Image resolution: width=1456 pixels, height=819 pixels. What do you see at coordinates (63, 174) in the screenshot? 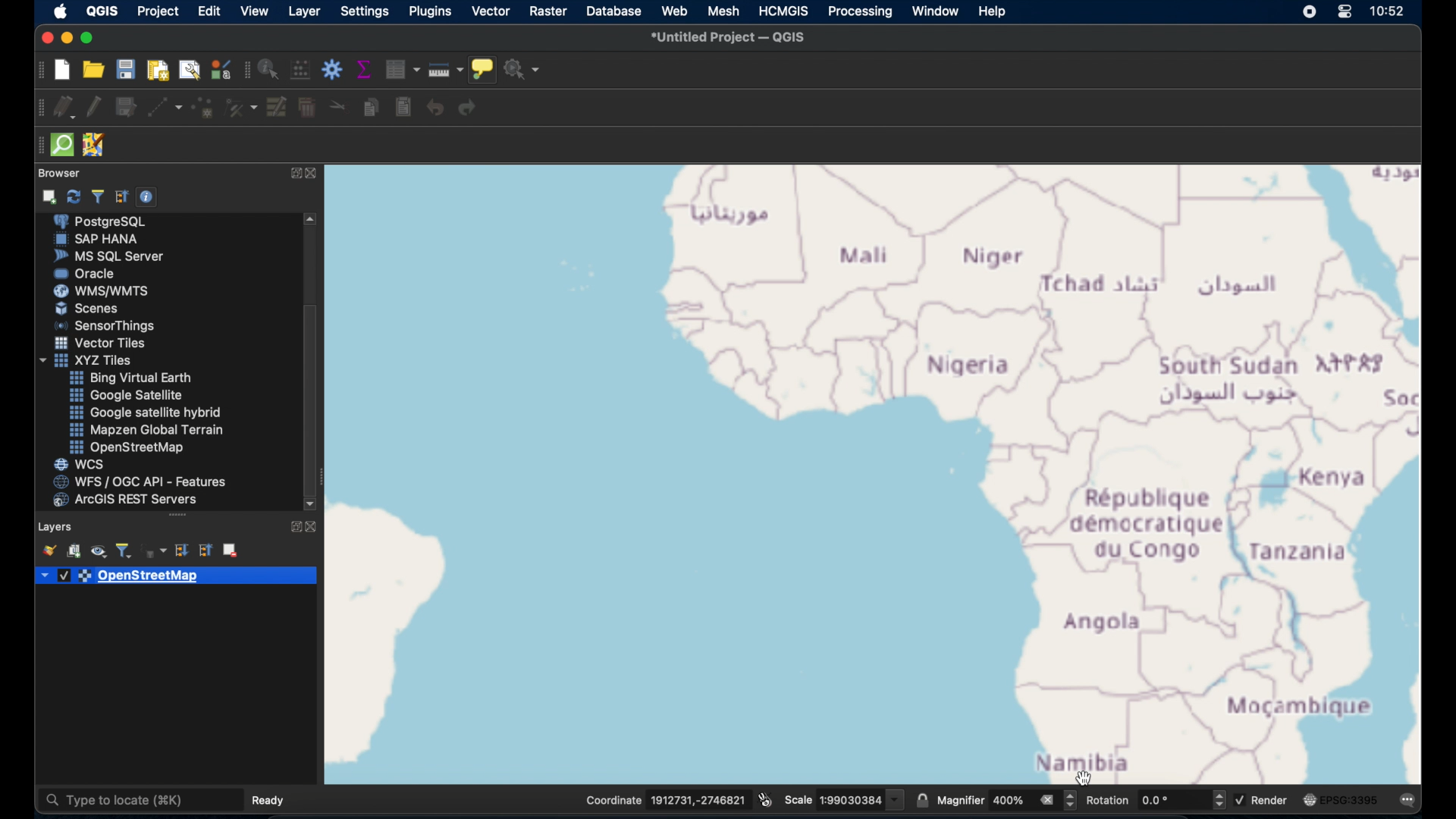
I see `browser` at bounding box center [63, 174].